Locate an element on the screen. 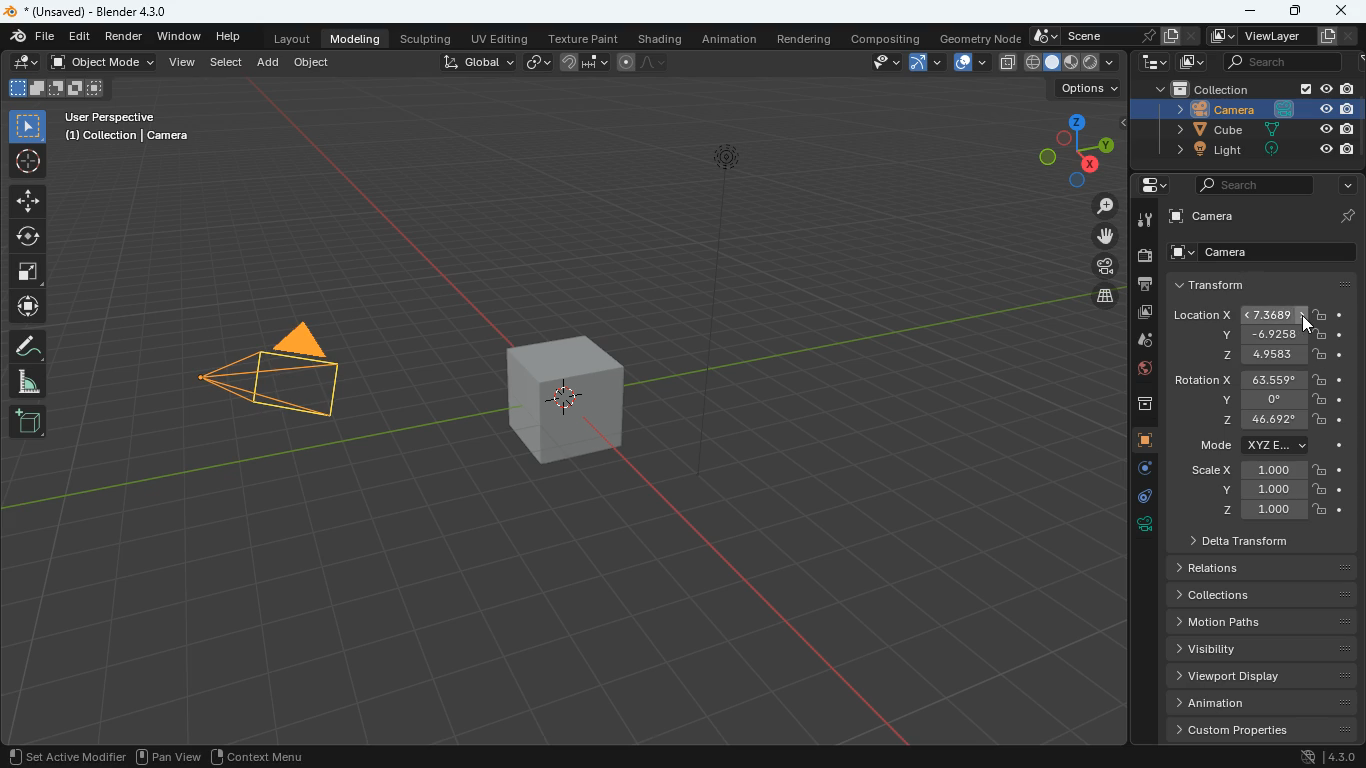 The width and height of the screenshot is (1366, 768). move is located at coordinates (29, 200).